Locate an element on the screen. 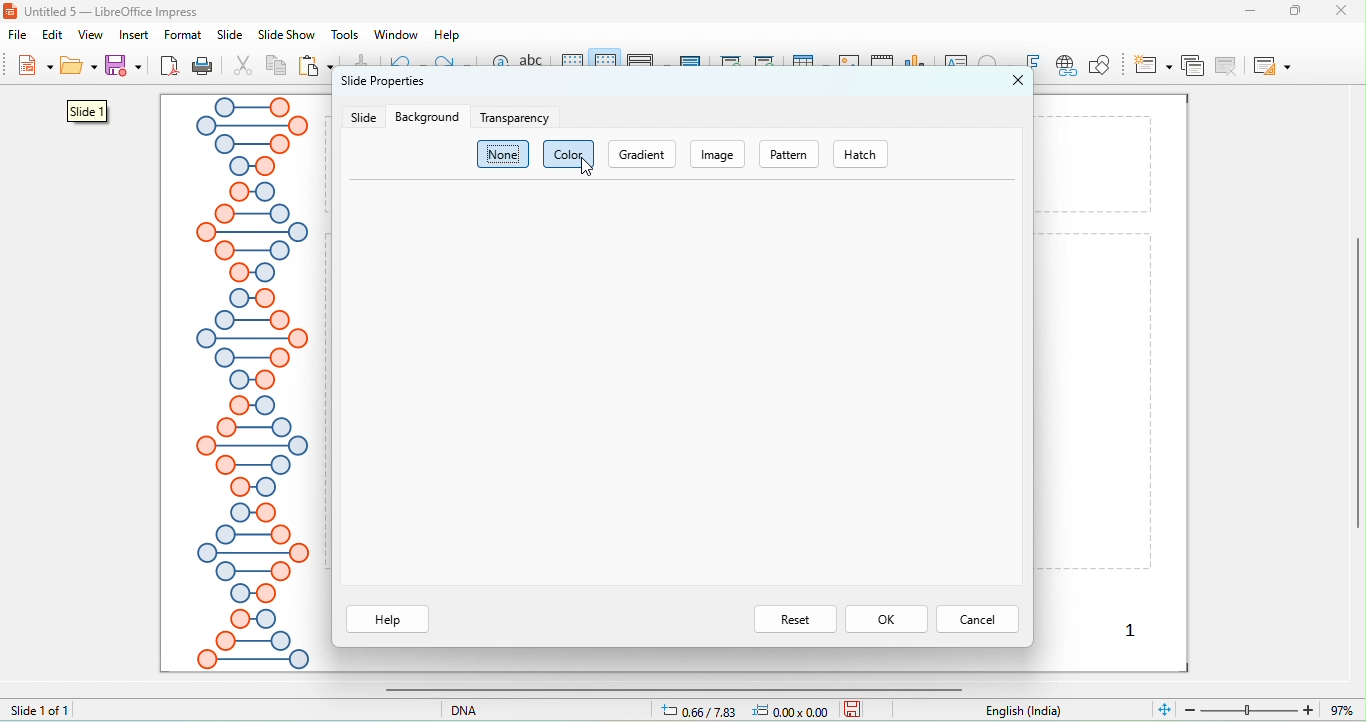  start from current is located at coordinates (764, 63).